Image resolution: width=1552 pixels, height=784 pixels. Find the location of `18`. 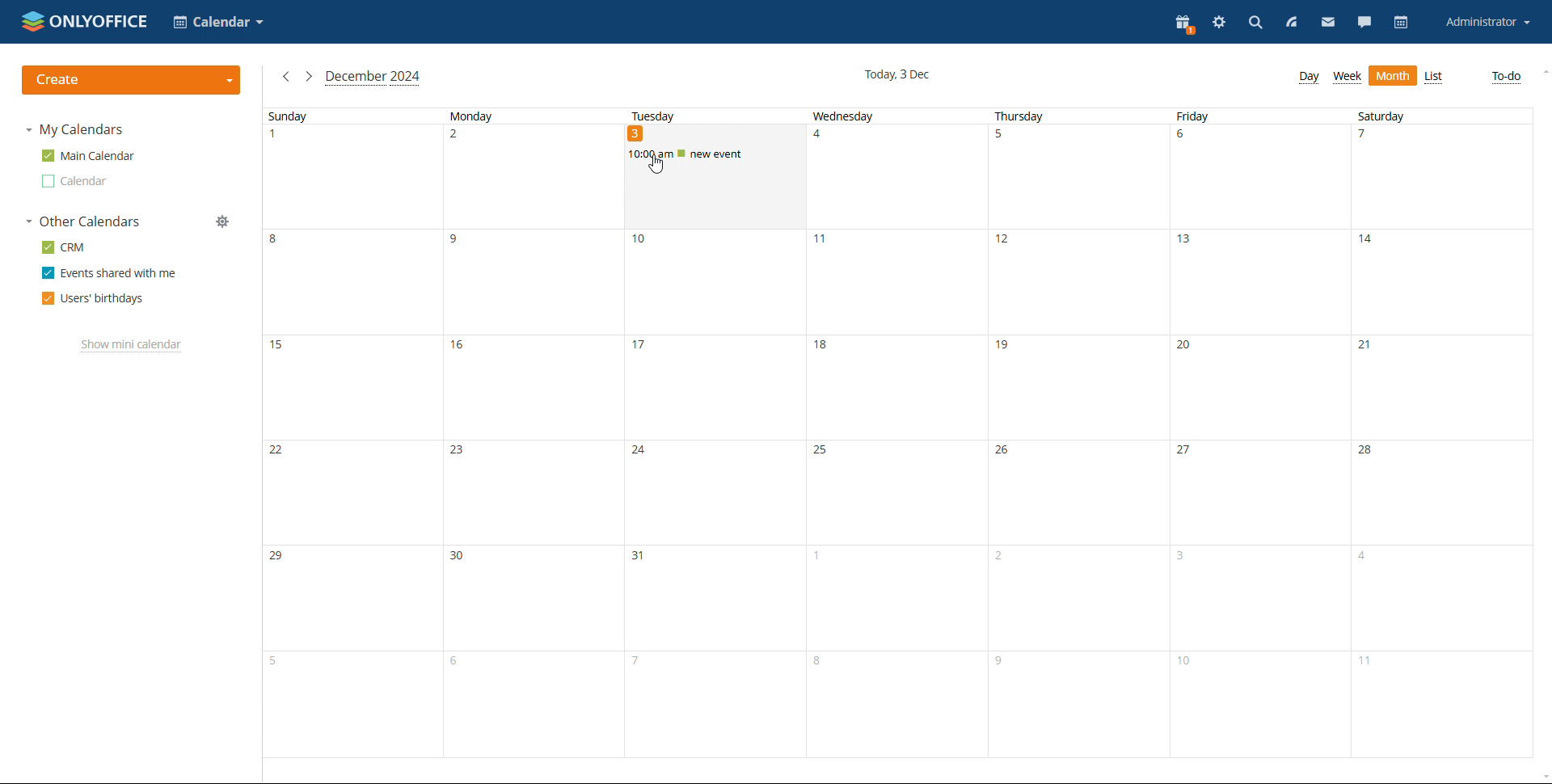

18 is located at coordinates (895, 388).